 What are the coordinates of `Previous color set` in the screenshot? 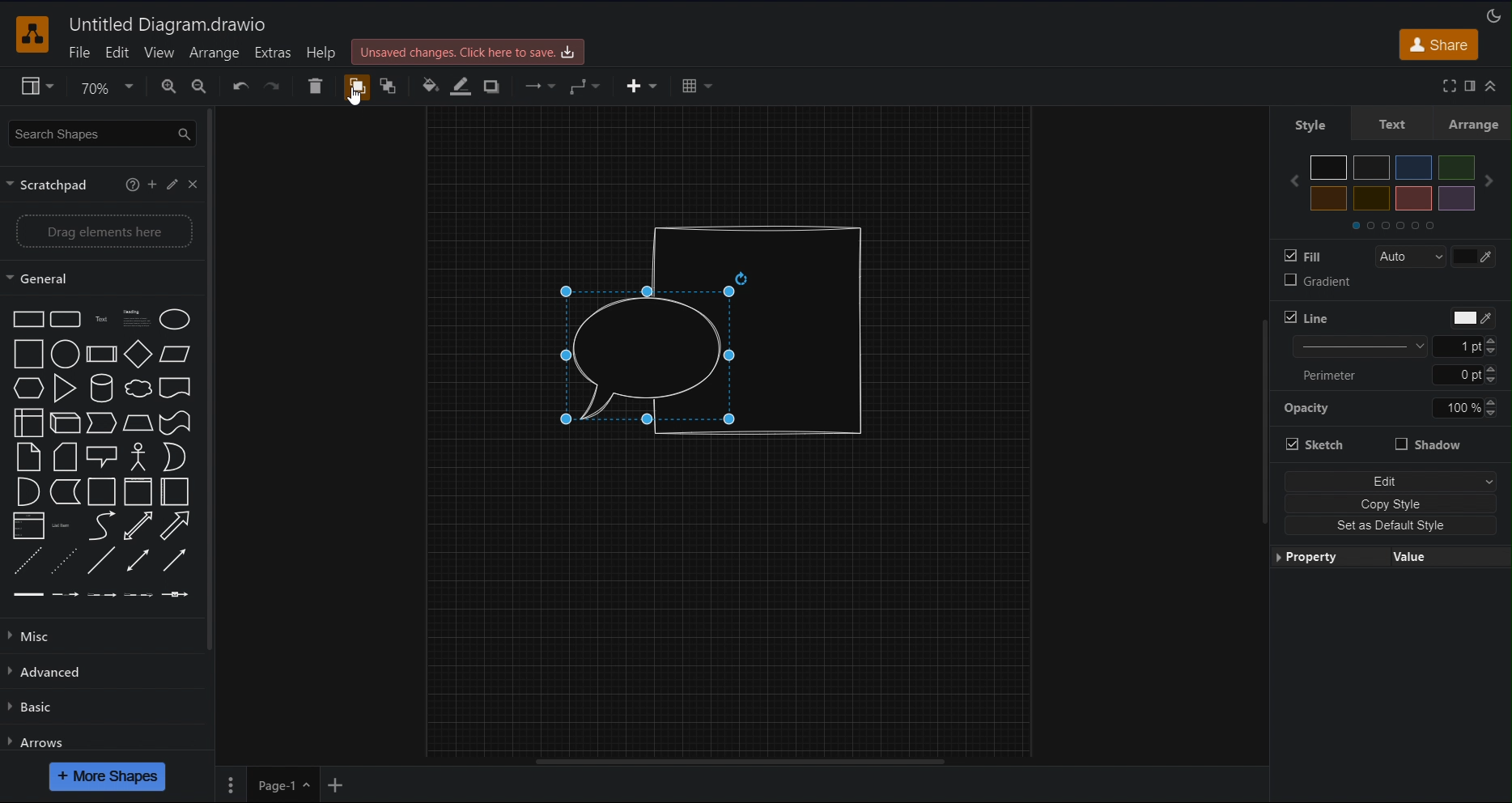 It's located at (1293, 181).